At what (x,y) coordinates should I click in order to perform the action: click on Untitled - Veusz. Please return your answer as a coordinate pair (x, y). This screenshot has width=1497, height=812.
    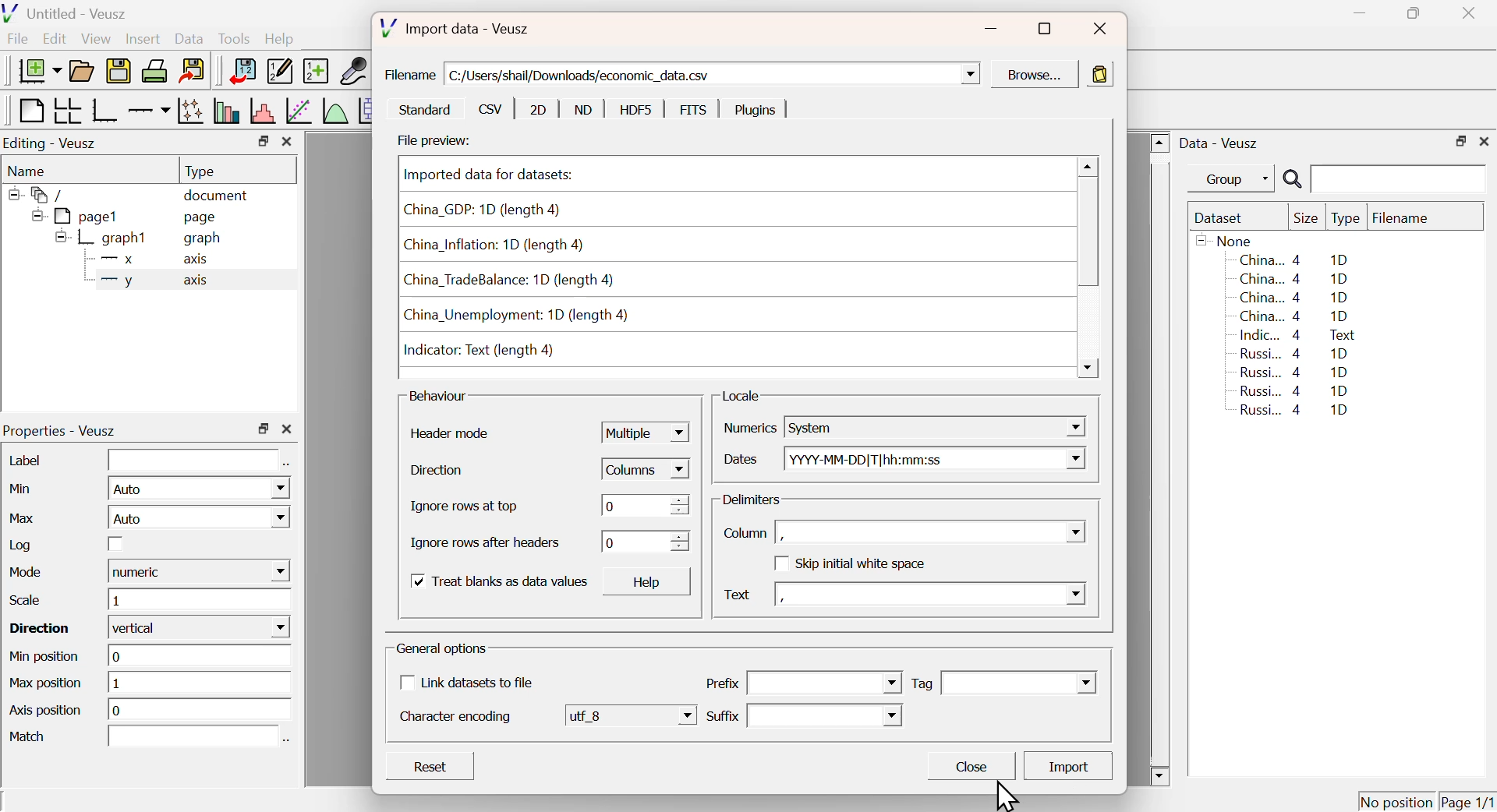
    Looking at the image, I should click on (69, 15).